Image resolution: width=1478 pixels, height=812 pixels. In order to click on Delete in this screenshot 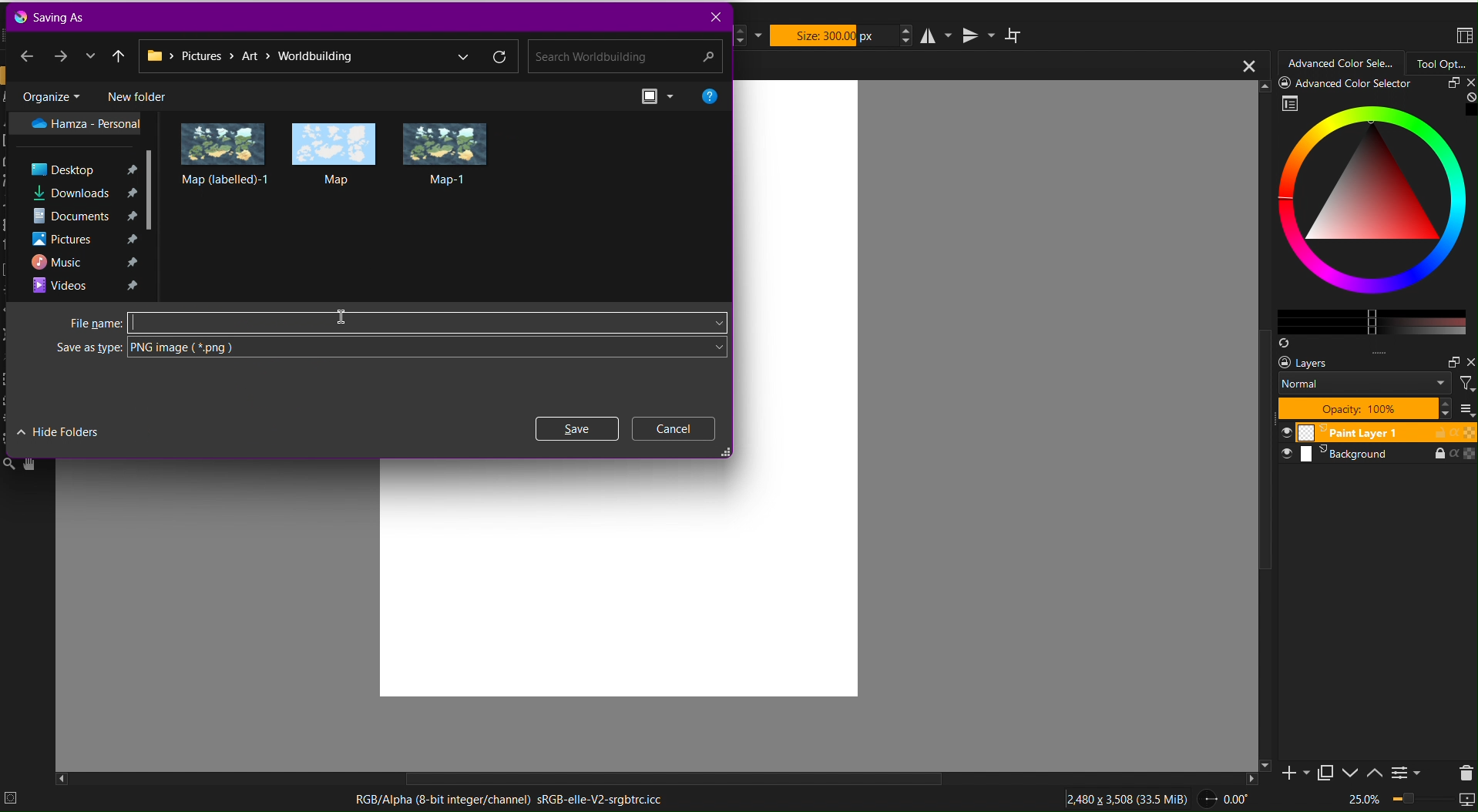, I will do `click(1463, 771)`.